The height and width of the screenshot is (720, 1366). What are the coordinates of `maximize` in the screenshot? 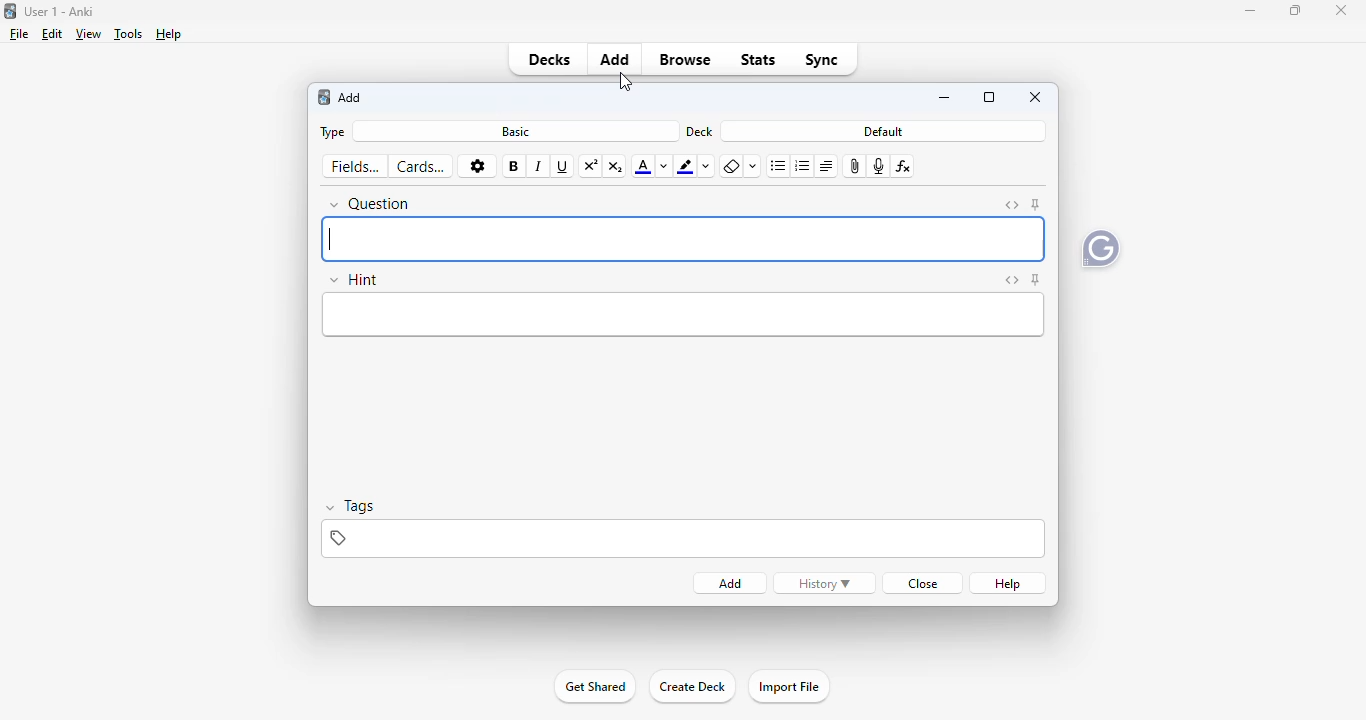 It's located at (989, 96).